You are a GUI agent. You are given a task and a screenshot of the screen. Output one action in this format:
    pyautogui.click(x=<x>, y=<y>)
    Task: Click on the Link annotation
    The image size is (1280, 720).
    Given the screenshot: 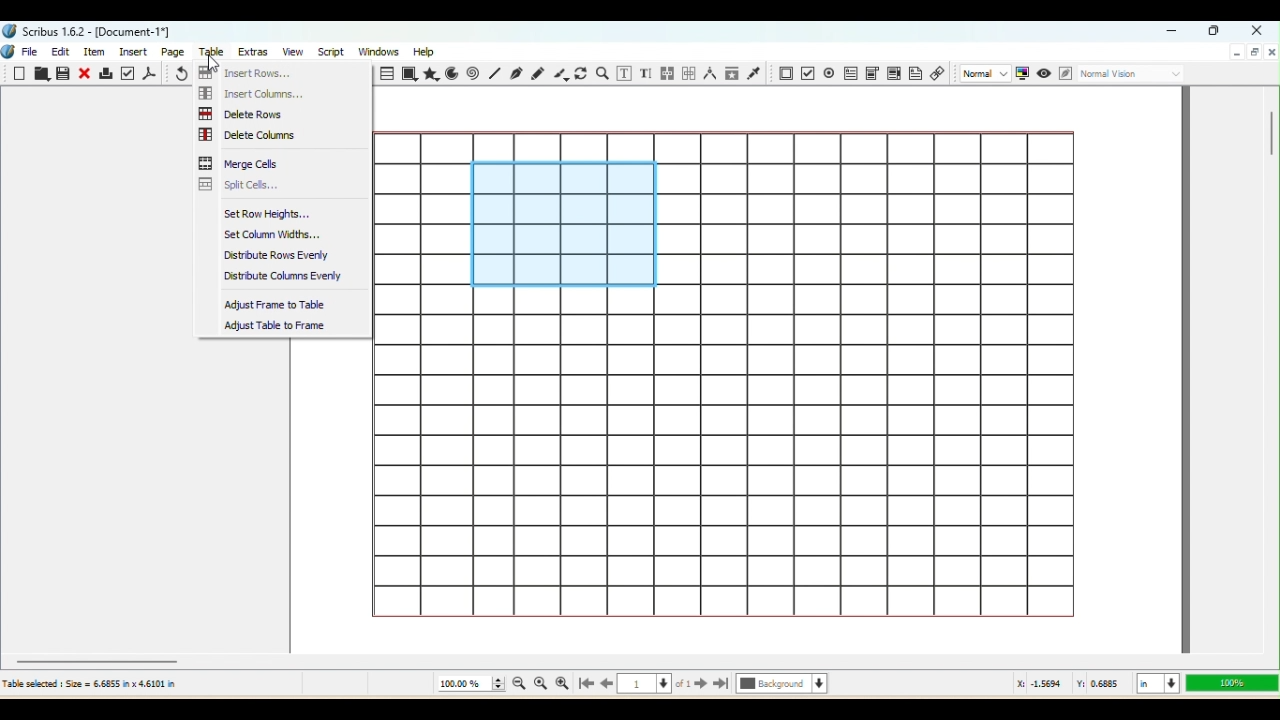 What is the action you would take?
    pyautogui.click(x=938, y=75)
    